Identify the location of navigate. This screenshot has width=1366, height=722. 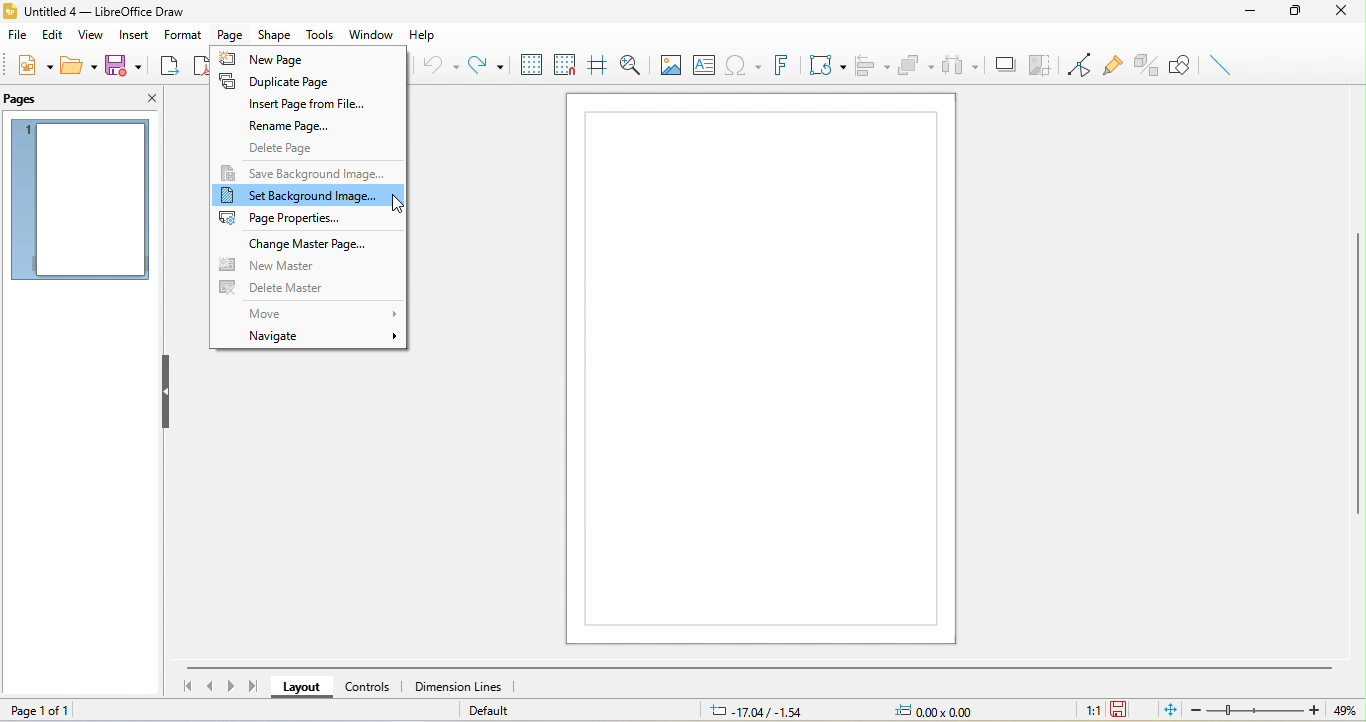
(324, 338).